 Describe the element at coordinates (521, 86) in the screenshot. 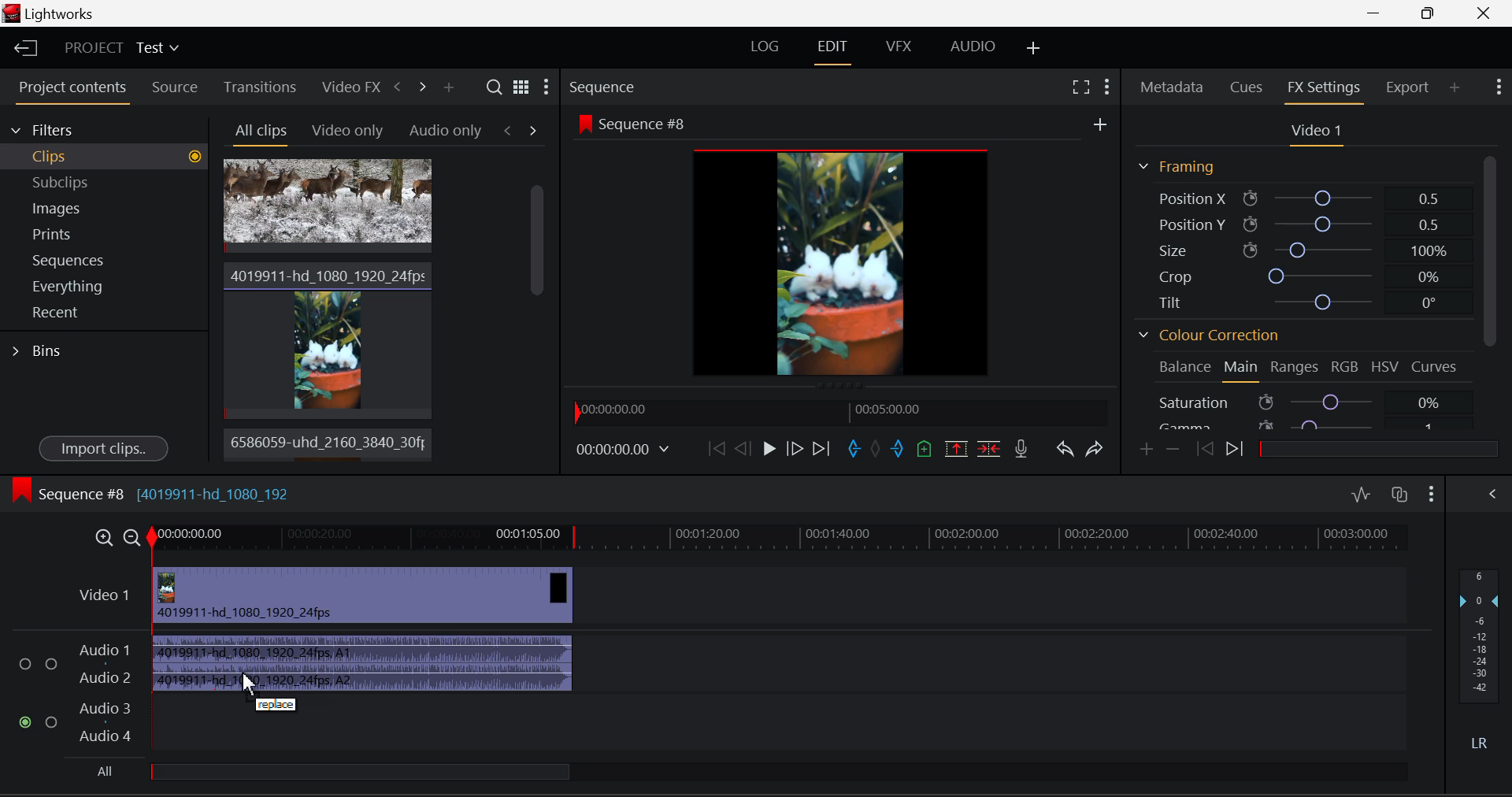

I see `Toggle between list and title view` at that location.